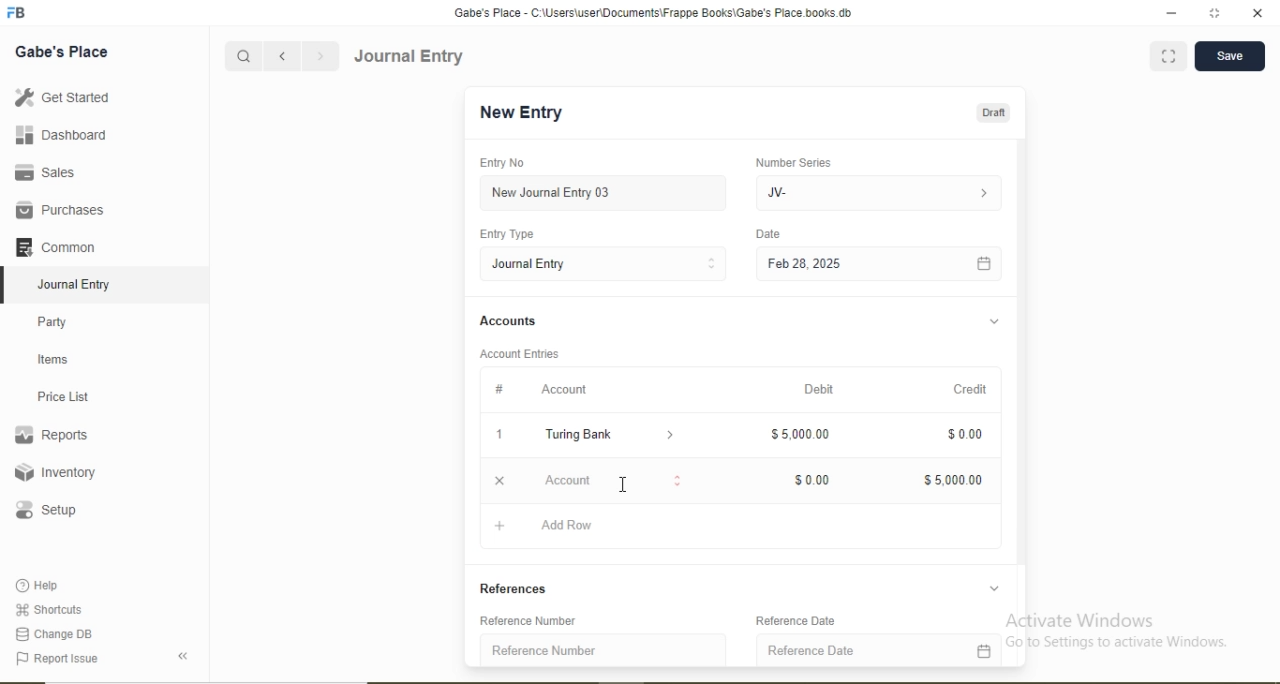 Image resolution: width=1280 pixels, height=684 pixels. Describe the element at coordinates (56, 472) in the screenshot. I see `Inventory` at that location.